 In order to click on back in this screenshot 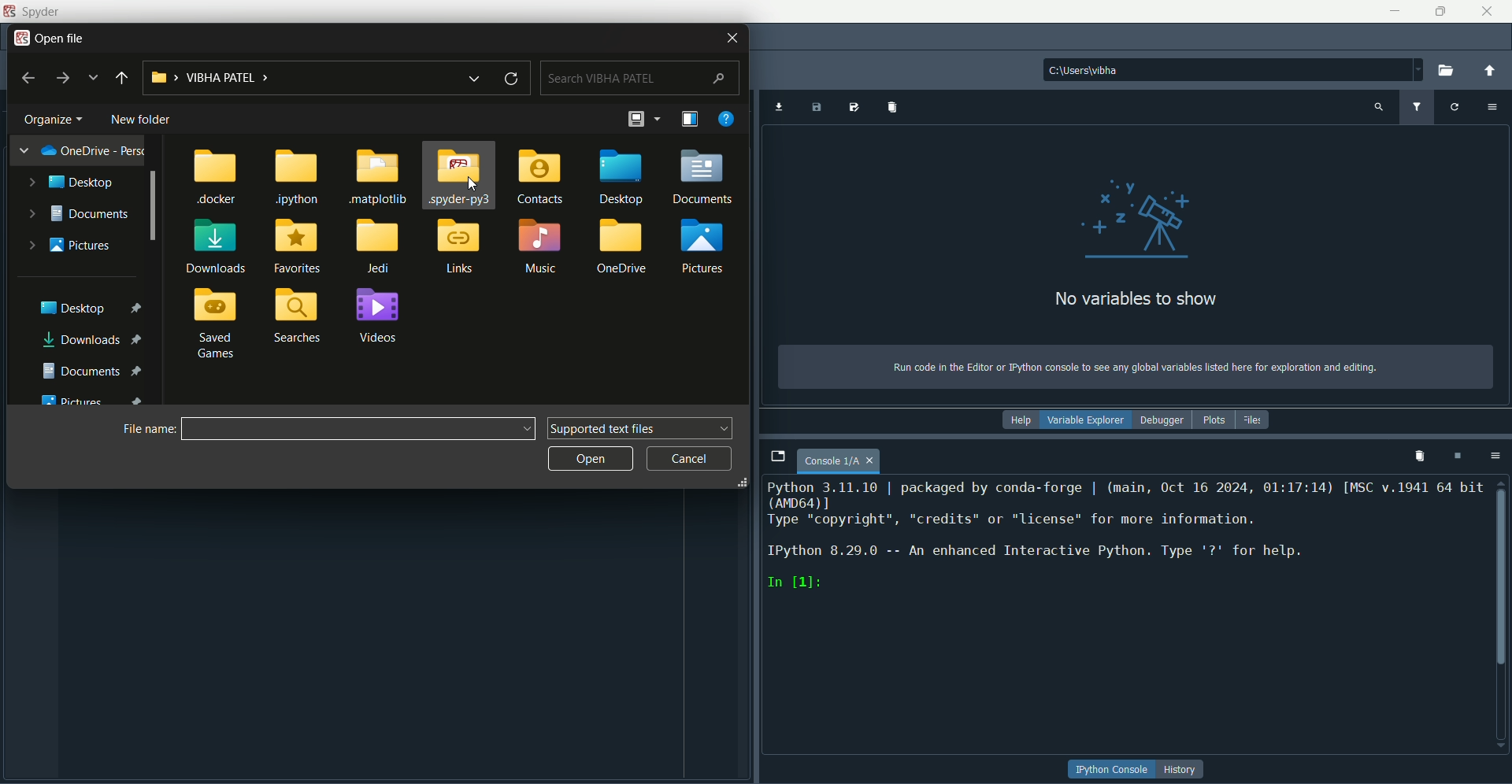, I will do `click(30, 76)`.